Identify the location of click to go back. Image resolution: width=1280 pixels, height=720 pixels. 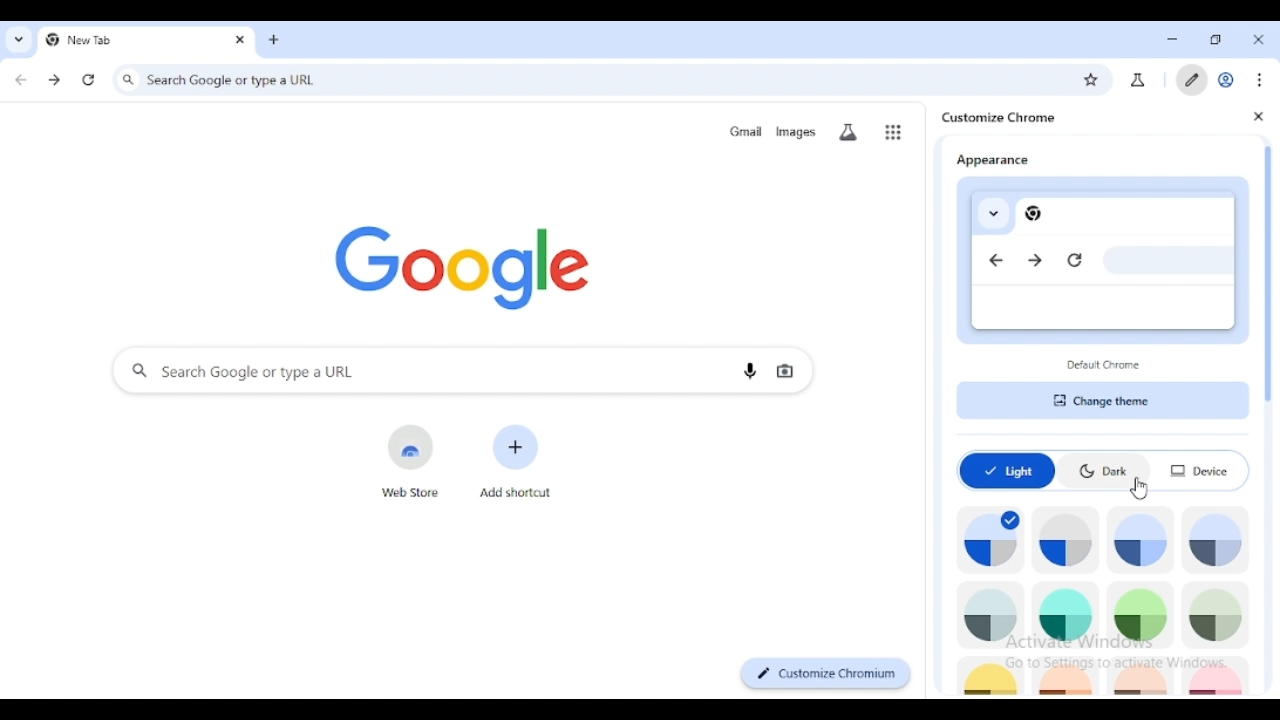
(20, 81).